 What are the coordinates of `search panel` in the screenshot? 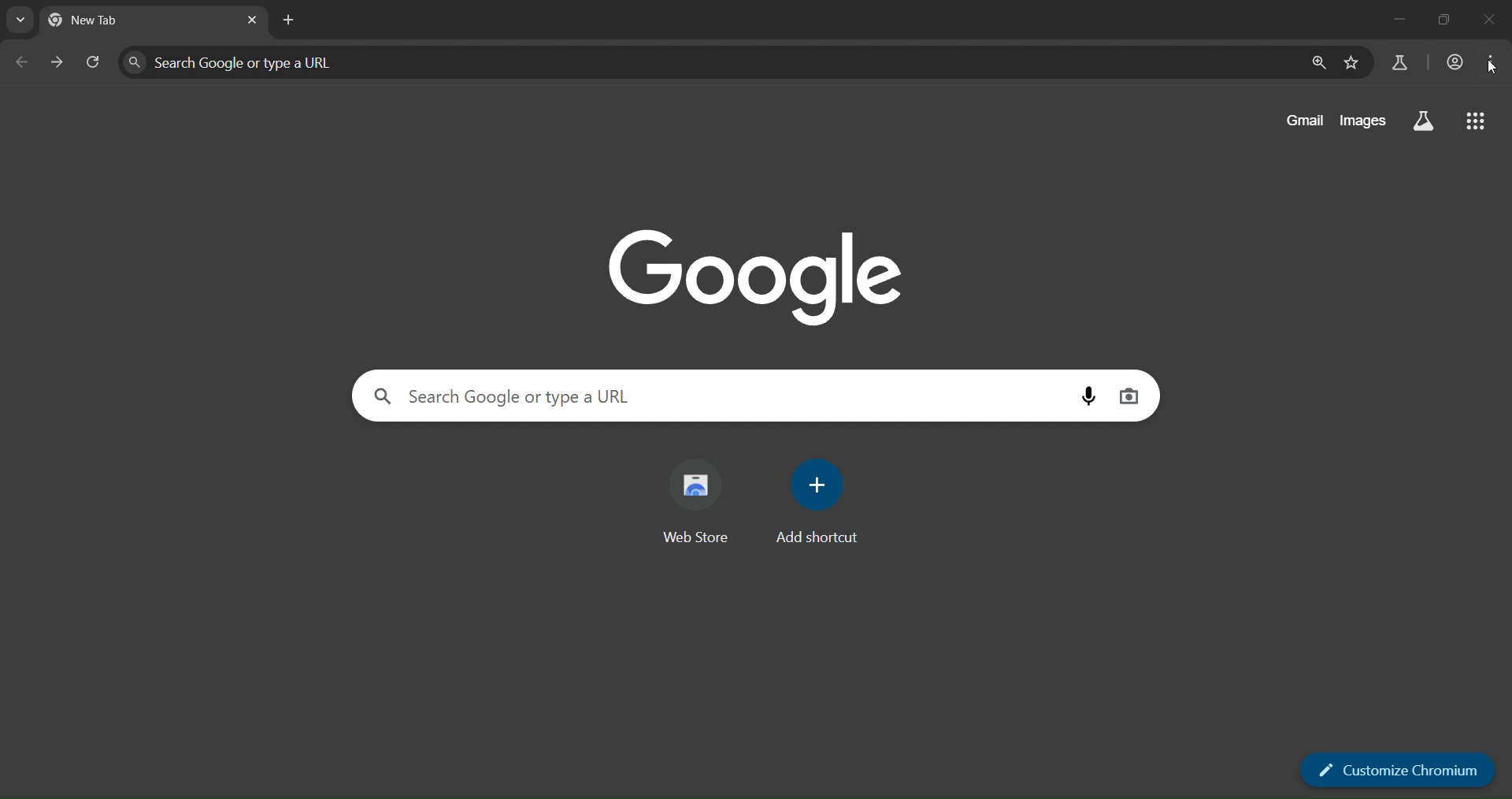 It's located at (576, 396).